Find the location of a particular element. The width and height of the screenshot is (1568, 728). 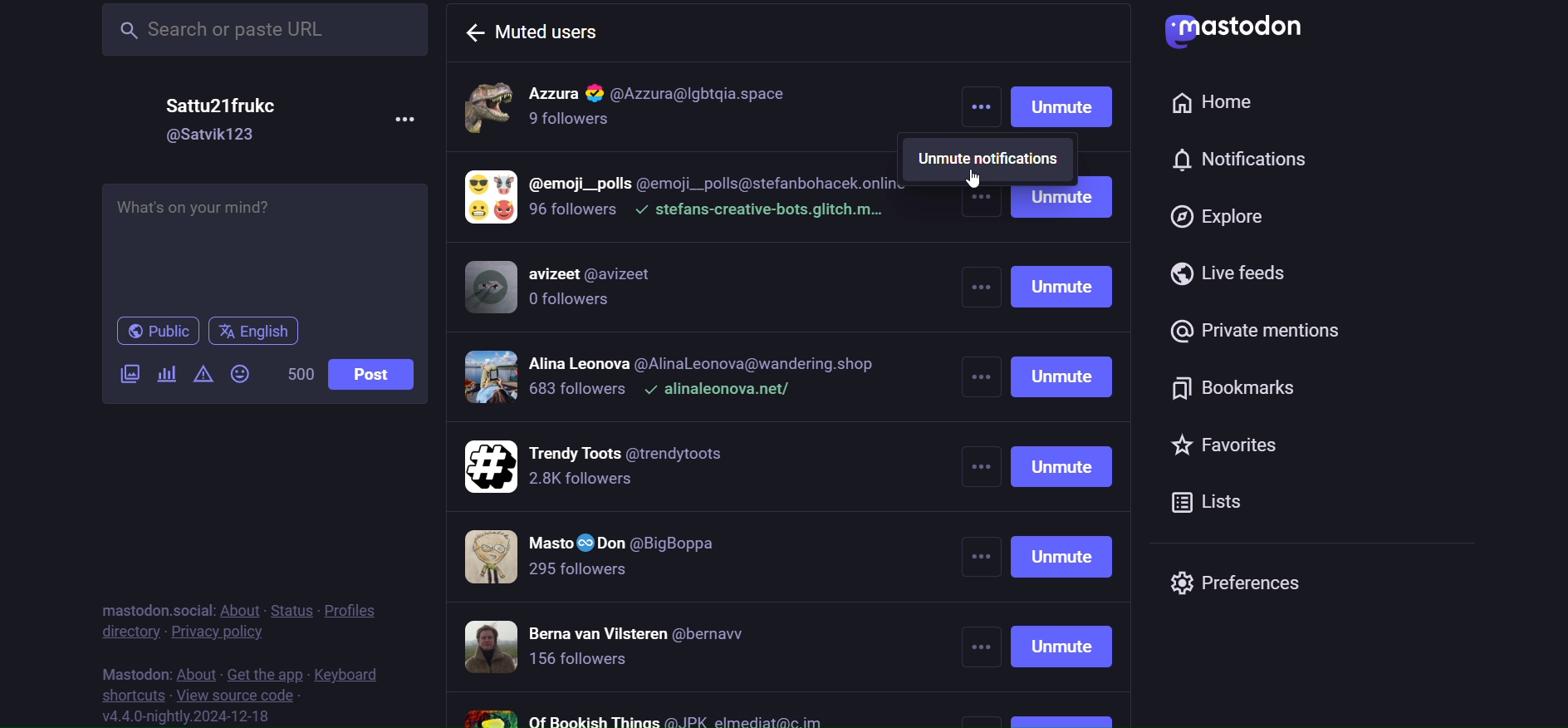

muted accounts 4 is located at coordinates (674, 380).